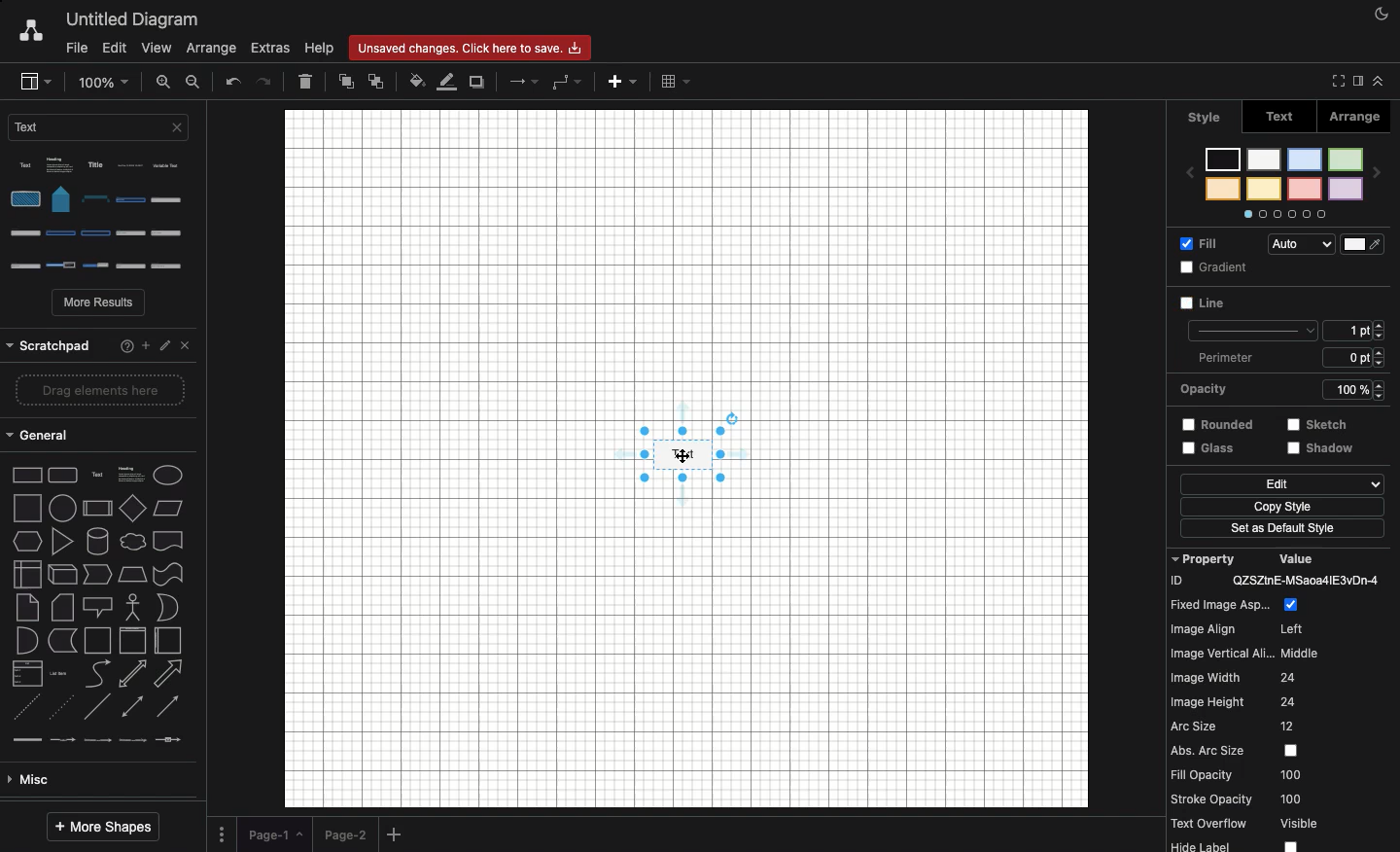 The width and height of the screenshot is (1400, 852). What do you see at coordinates (113, 47) in the screenshot?
I see `Edit` at bounding box center [113, 47].